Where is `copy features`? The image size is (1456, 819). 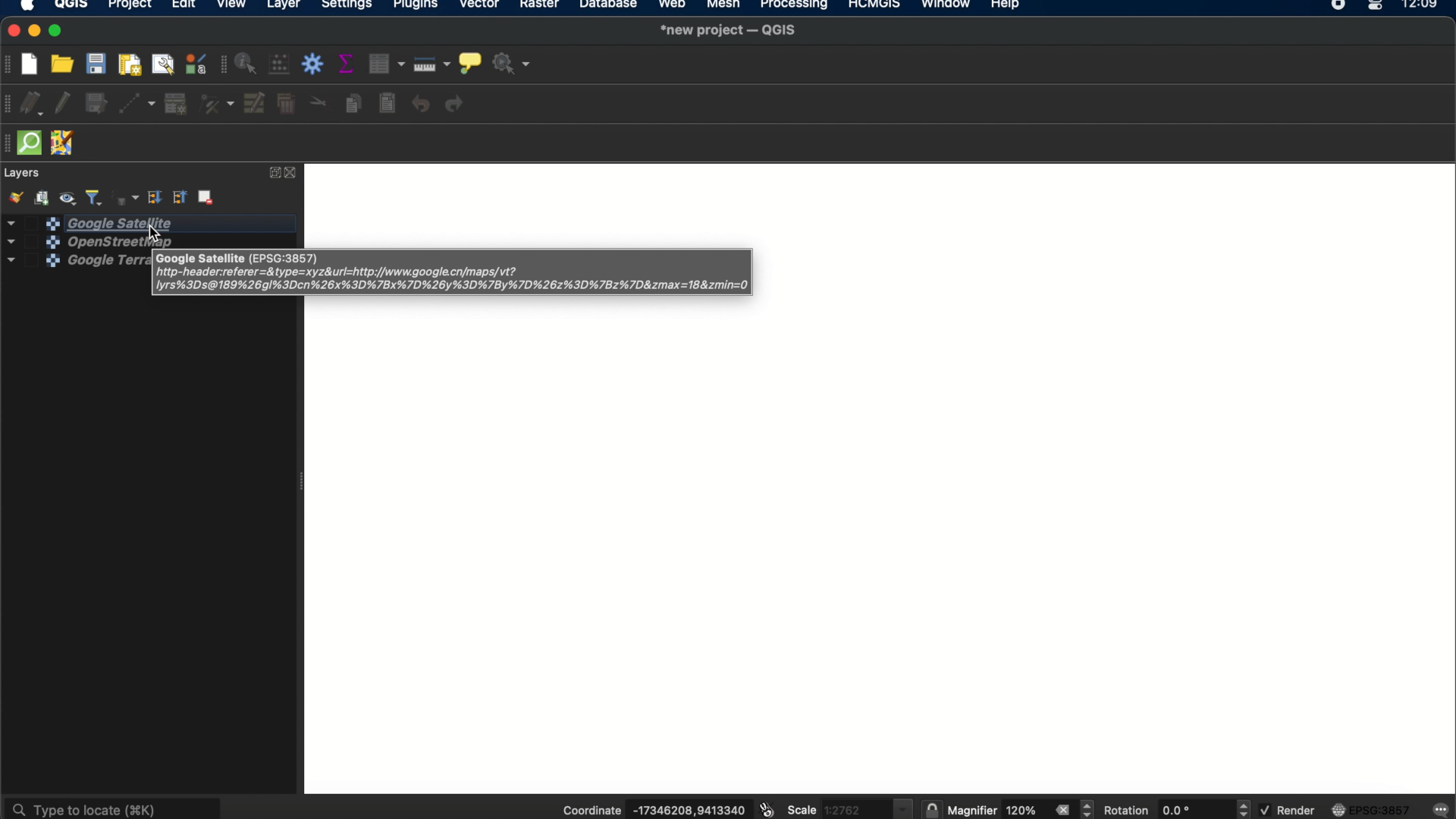
copy features is located at coordinates (353, 103).